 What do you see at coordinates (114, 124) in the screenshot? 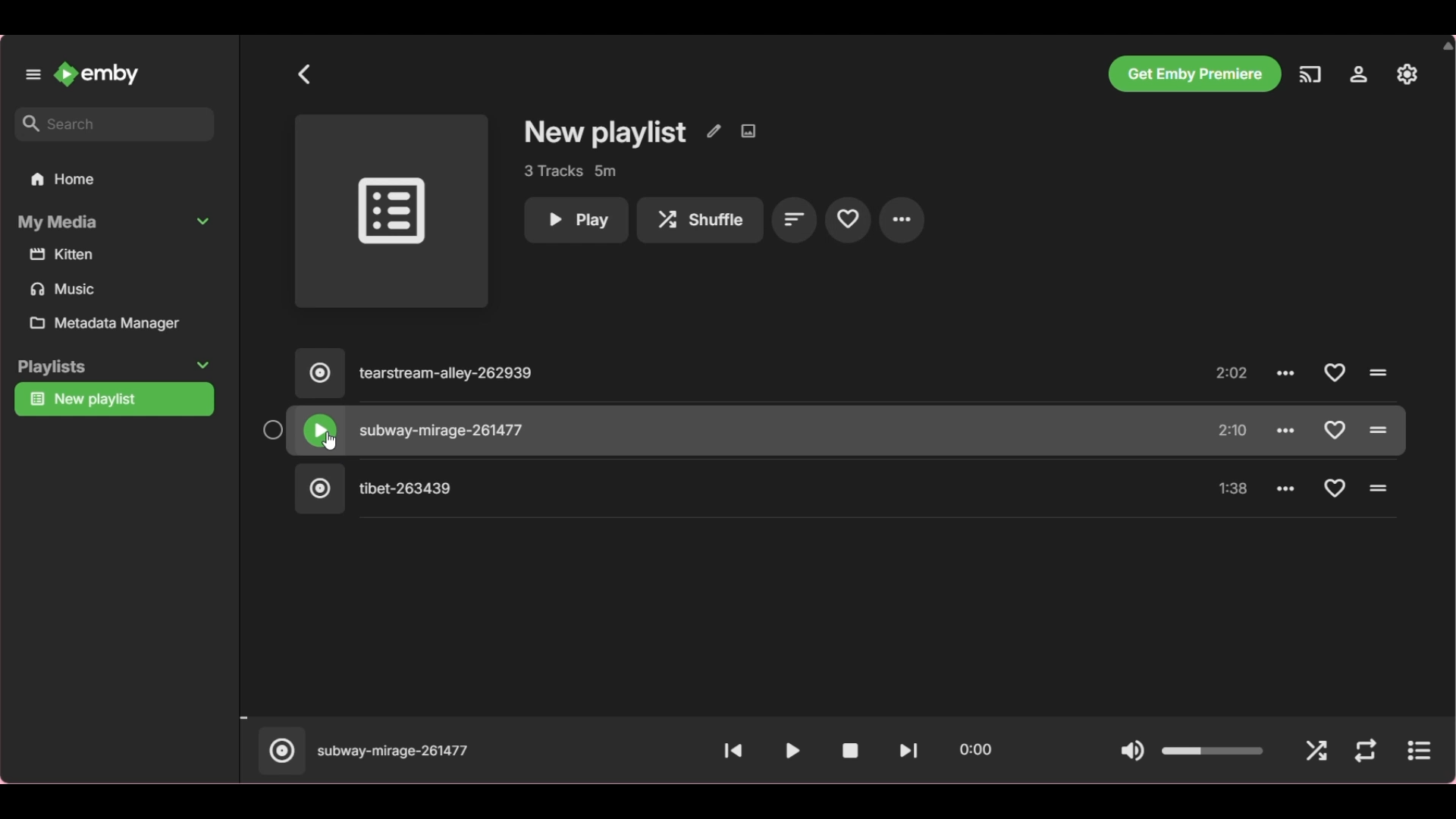
I see `Type in search` at bounding box center [114, 124].